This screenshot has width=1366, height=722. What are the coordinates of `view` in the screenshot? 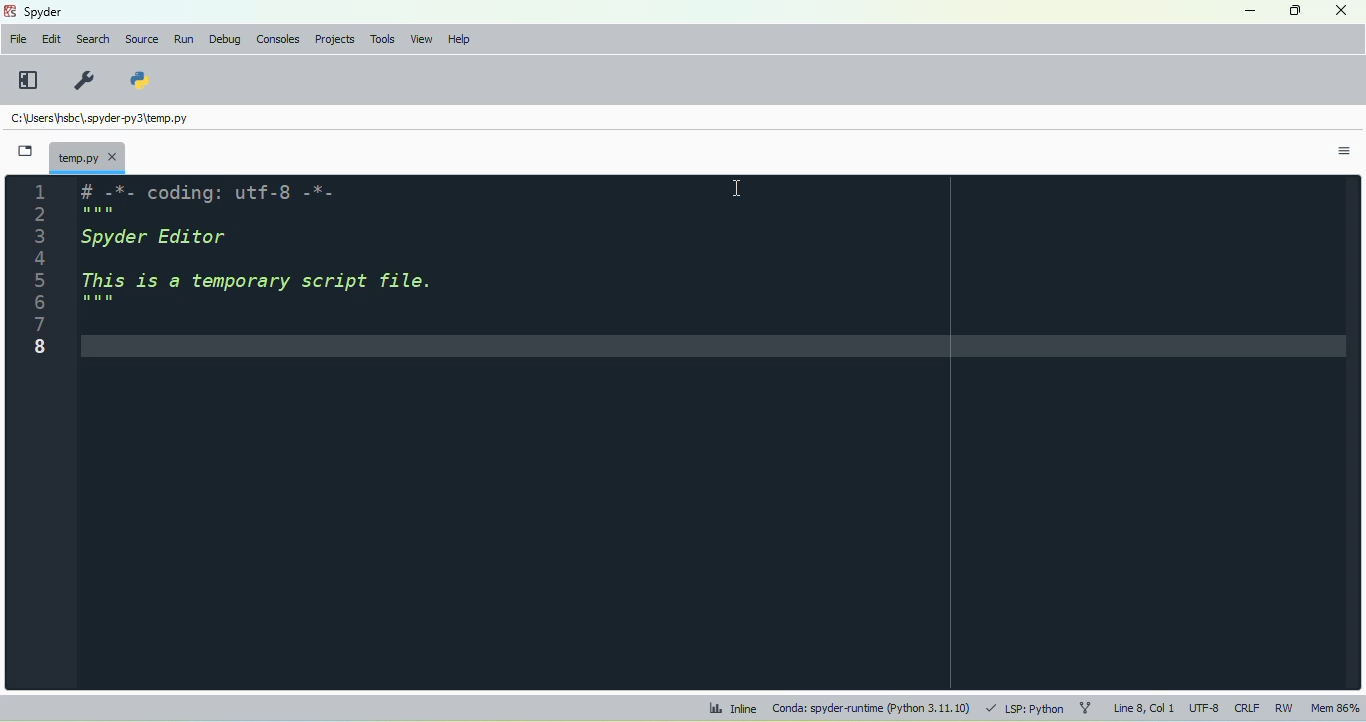 It's located at (422, 39).